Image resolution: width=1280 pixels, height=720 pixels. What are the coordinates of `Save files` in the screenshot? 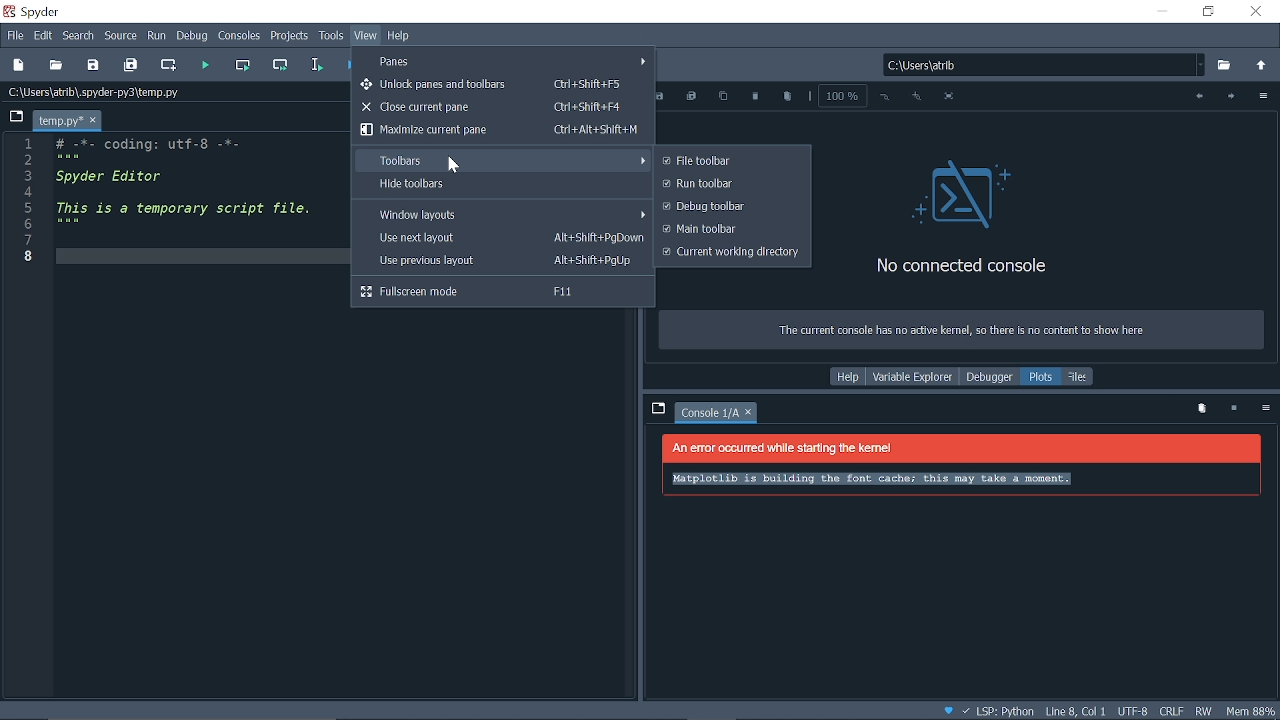 It's located at (94, 64).